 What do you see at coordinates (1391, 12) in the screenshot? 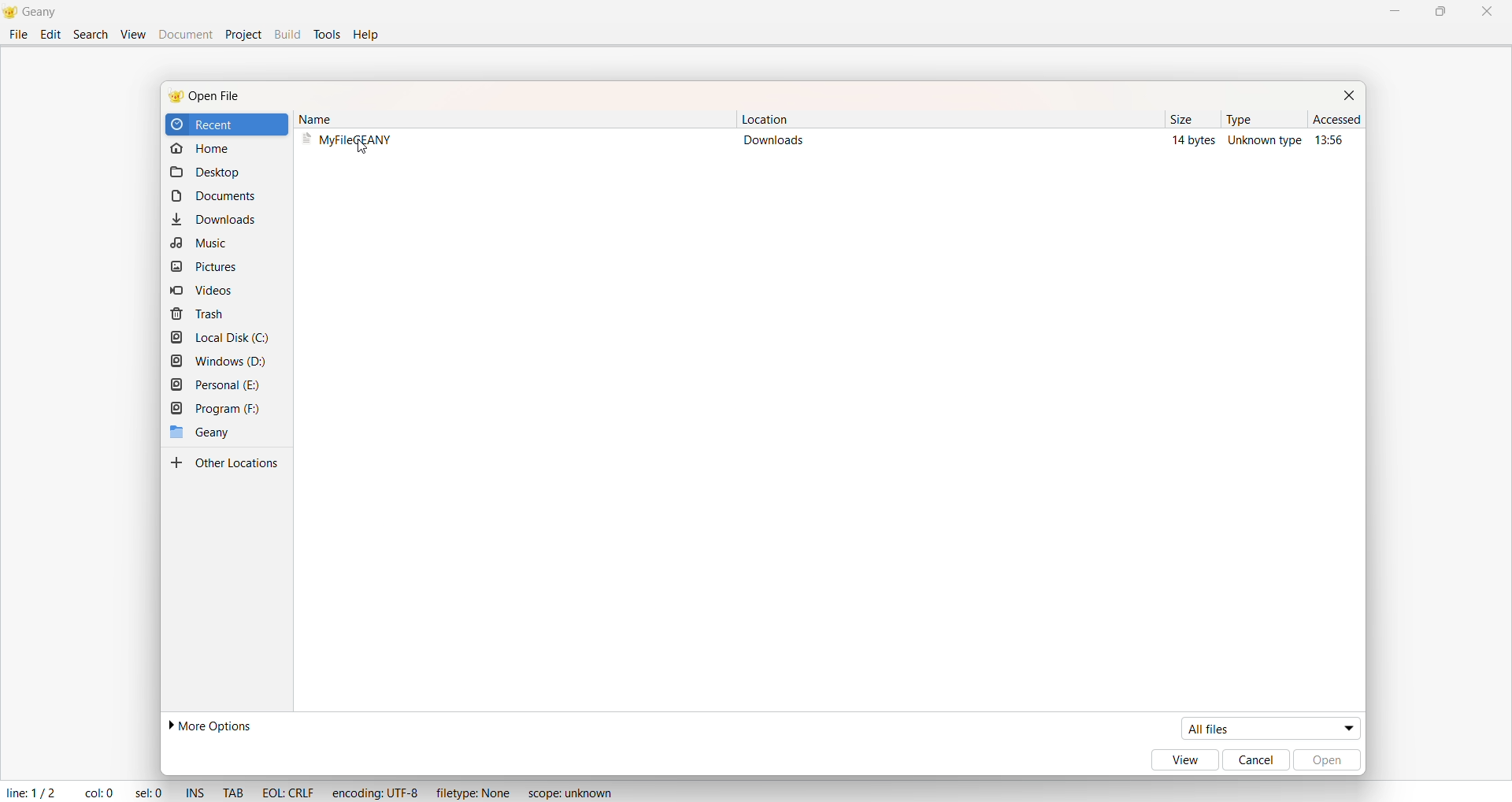
I see `Minimize` at bounding box center [1391, 12].